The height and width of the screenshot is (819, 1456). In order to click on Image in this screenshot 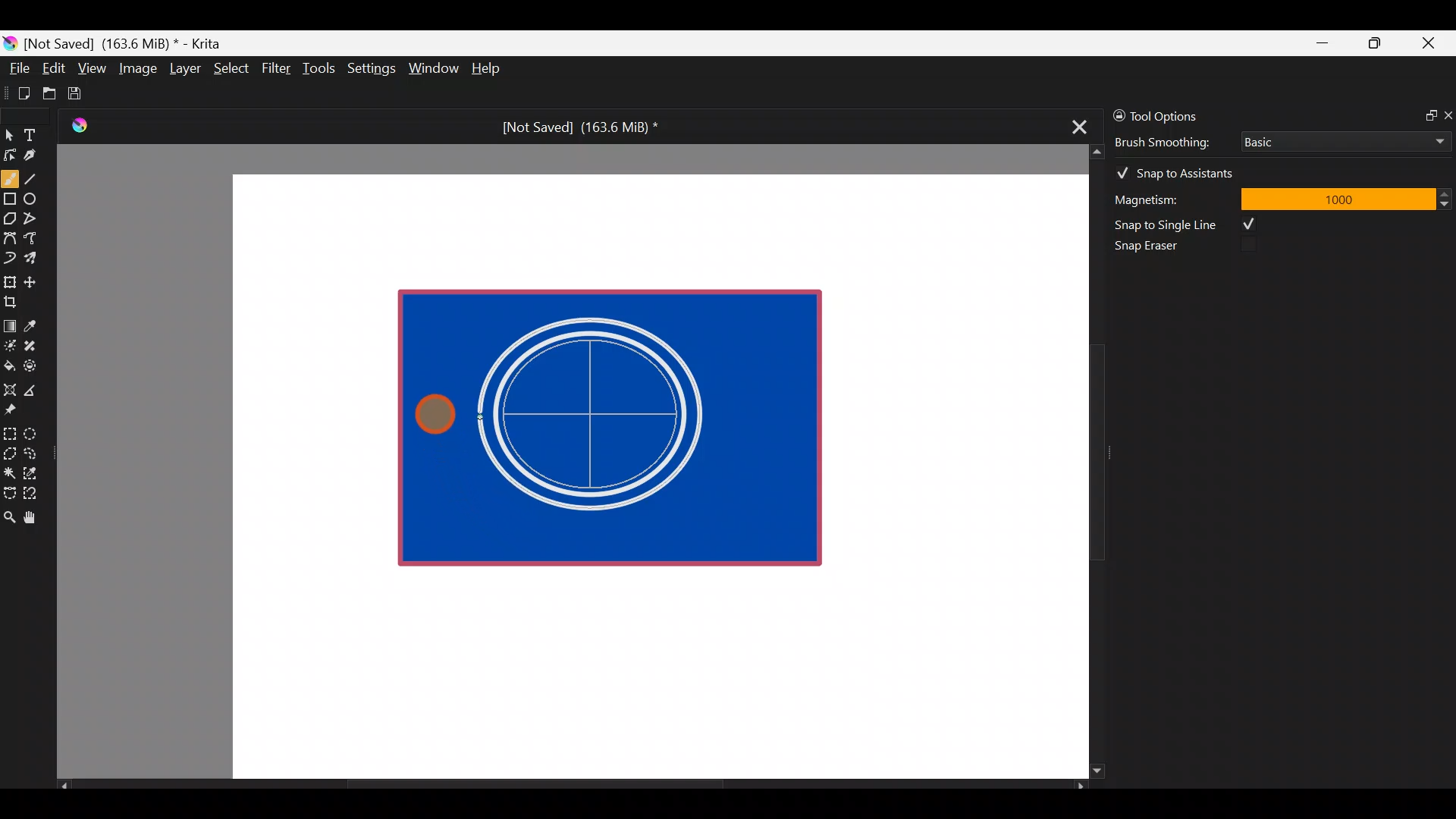, I will do `click(137, 68)`.